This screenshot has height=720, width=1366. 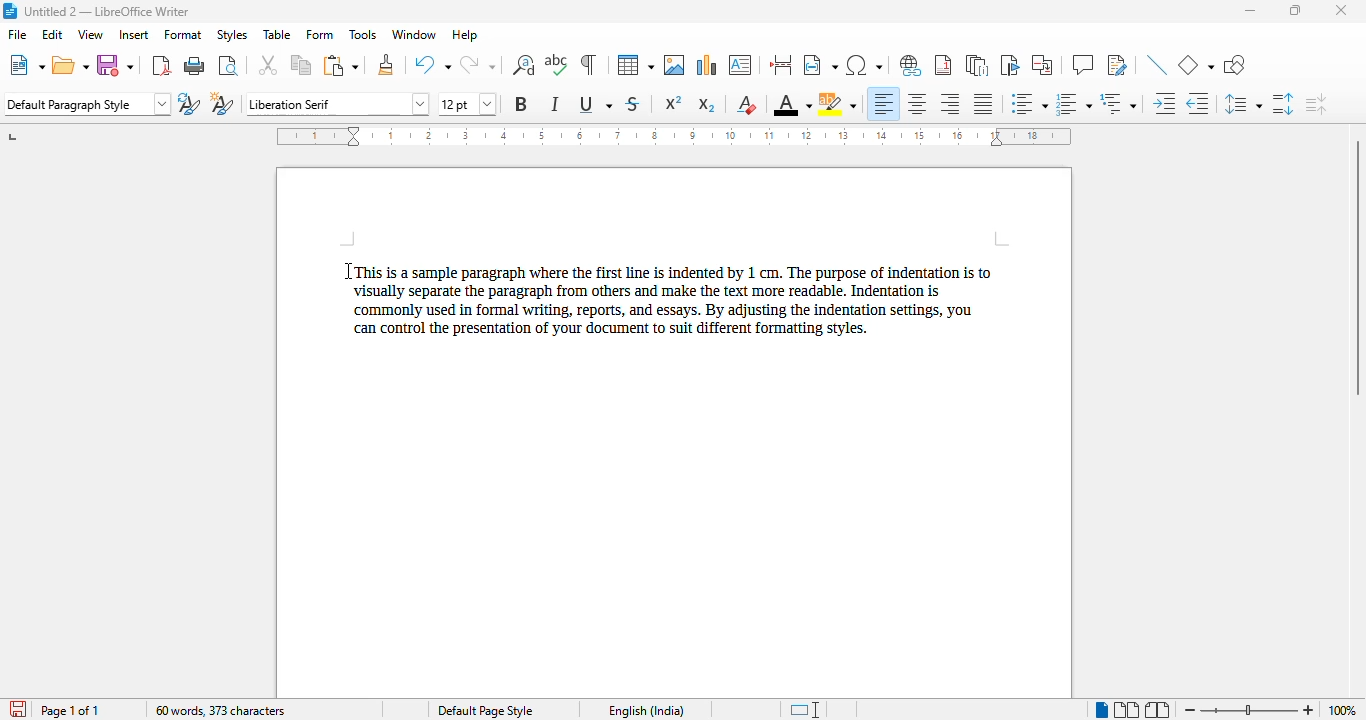 What do you see at coordinates (189, 103) in the screenshot?
I see `update selected style` at bounding box center [189, 103].